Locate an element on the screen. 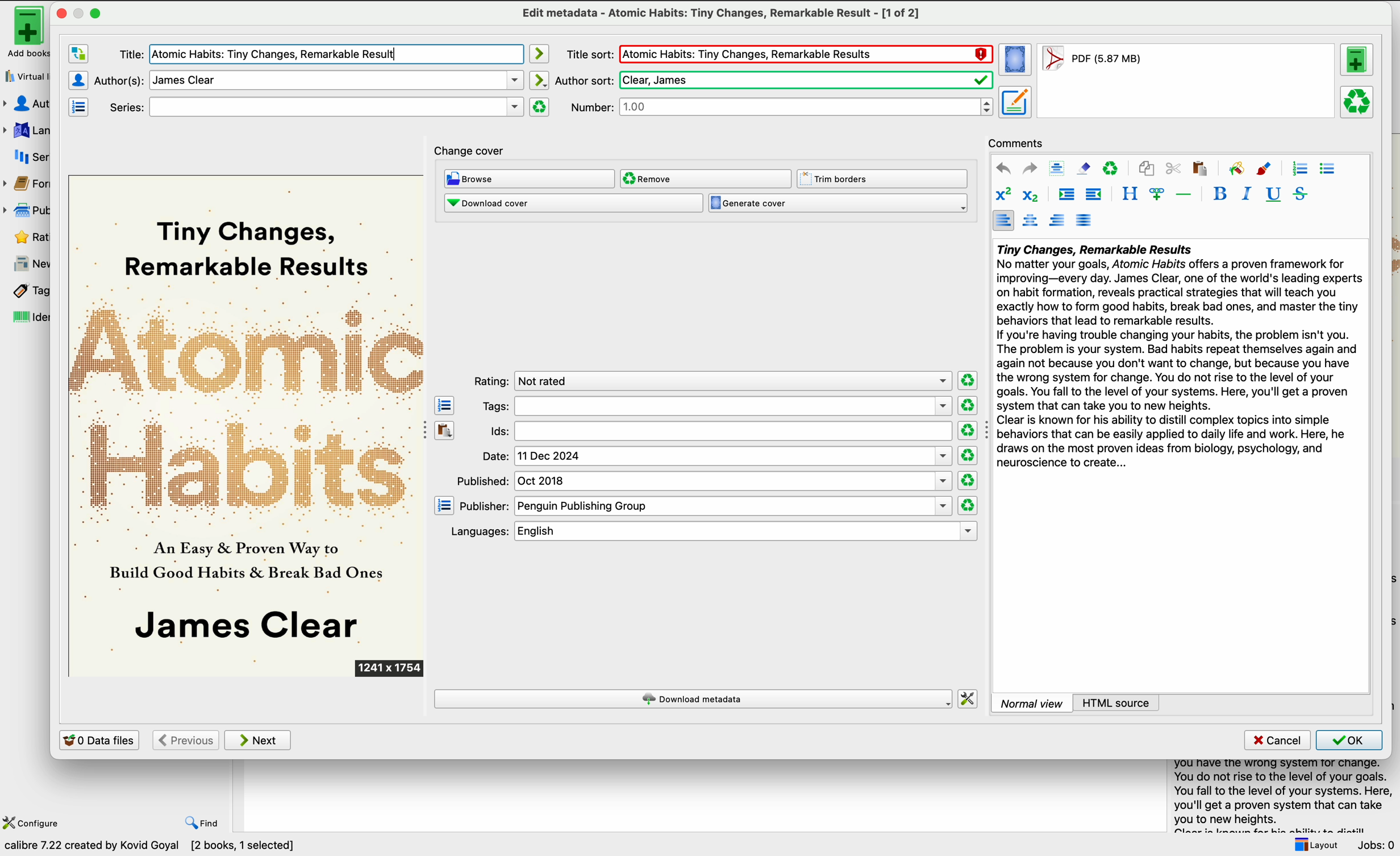 The height and width of the screenshot is (856, 1400). find is located at coordinates (203, 824).